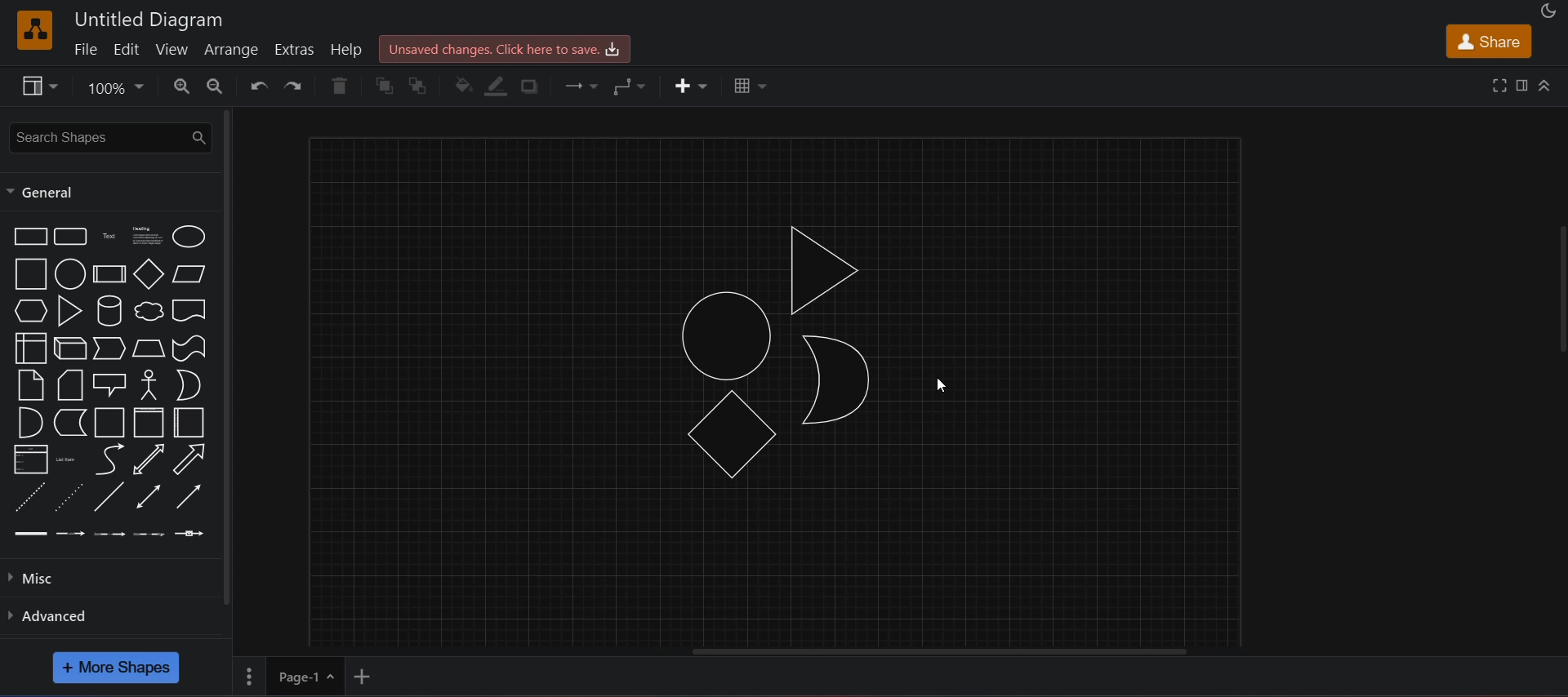  I want to click on cloud, so click(146, 313).